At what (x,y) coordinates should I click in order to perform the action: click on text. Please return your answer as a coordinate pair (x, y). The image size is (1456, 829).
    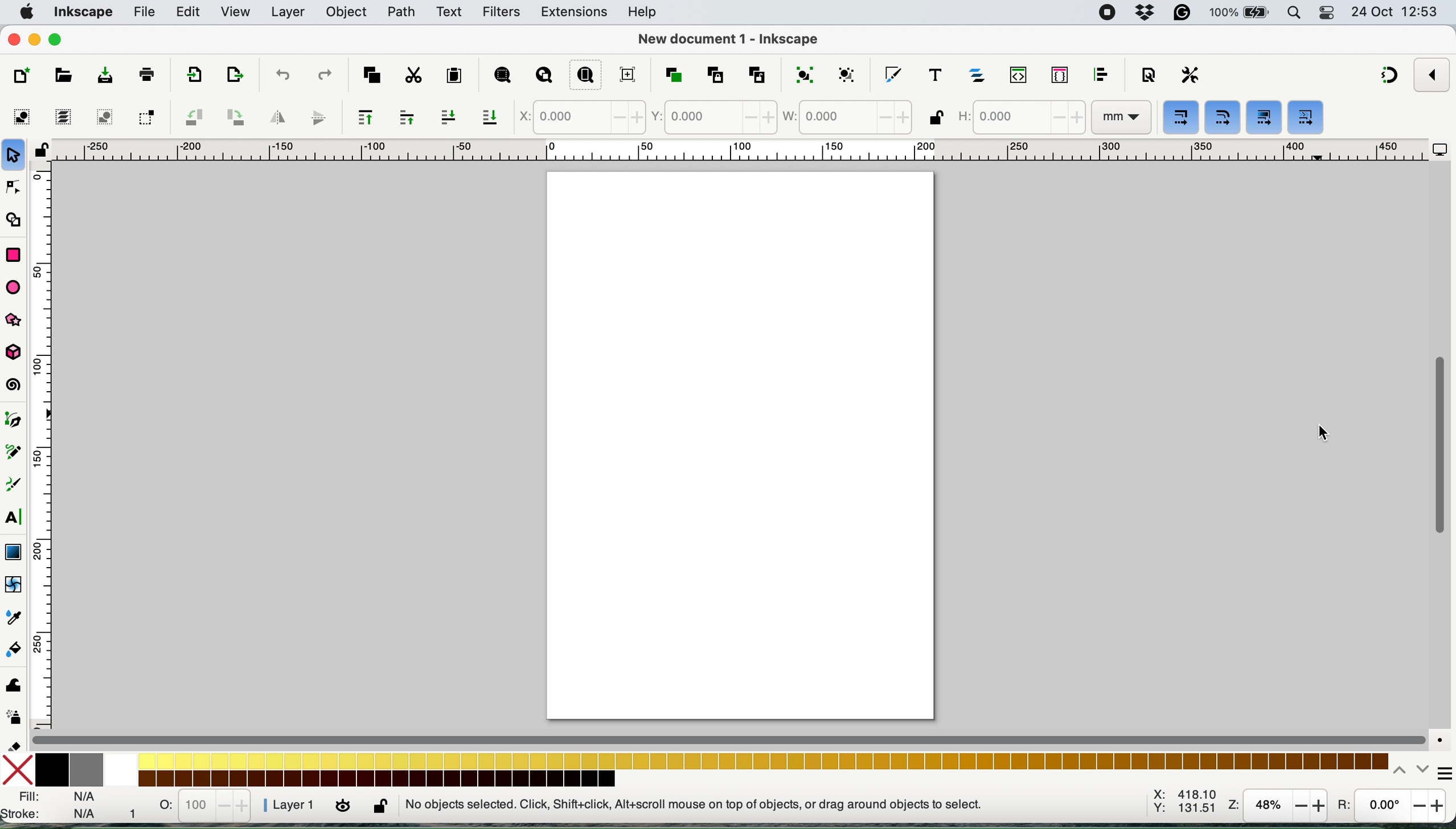
    Looking at the image, I should click on (447, 13).